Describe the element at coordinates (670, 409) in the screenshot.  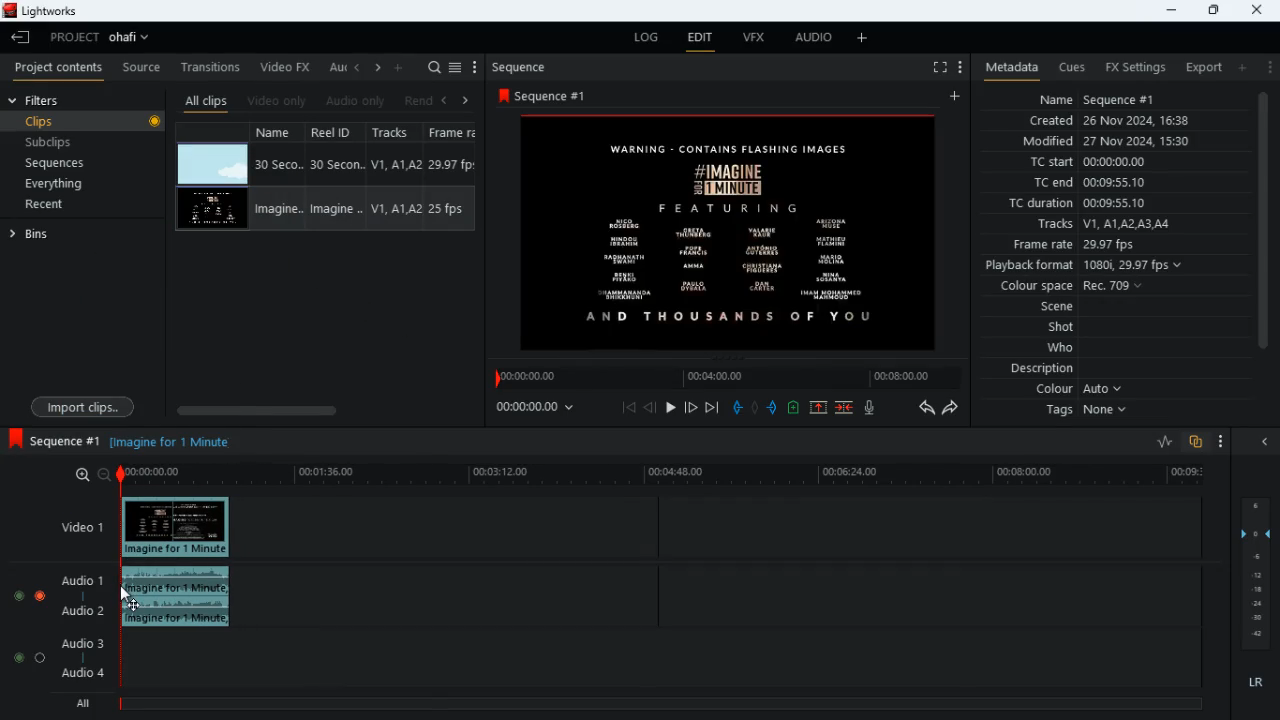
I see `play` at that location.